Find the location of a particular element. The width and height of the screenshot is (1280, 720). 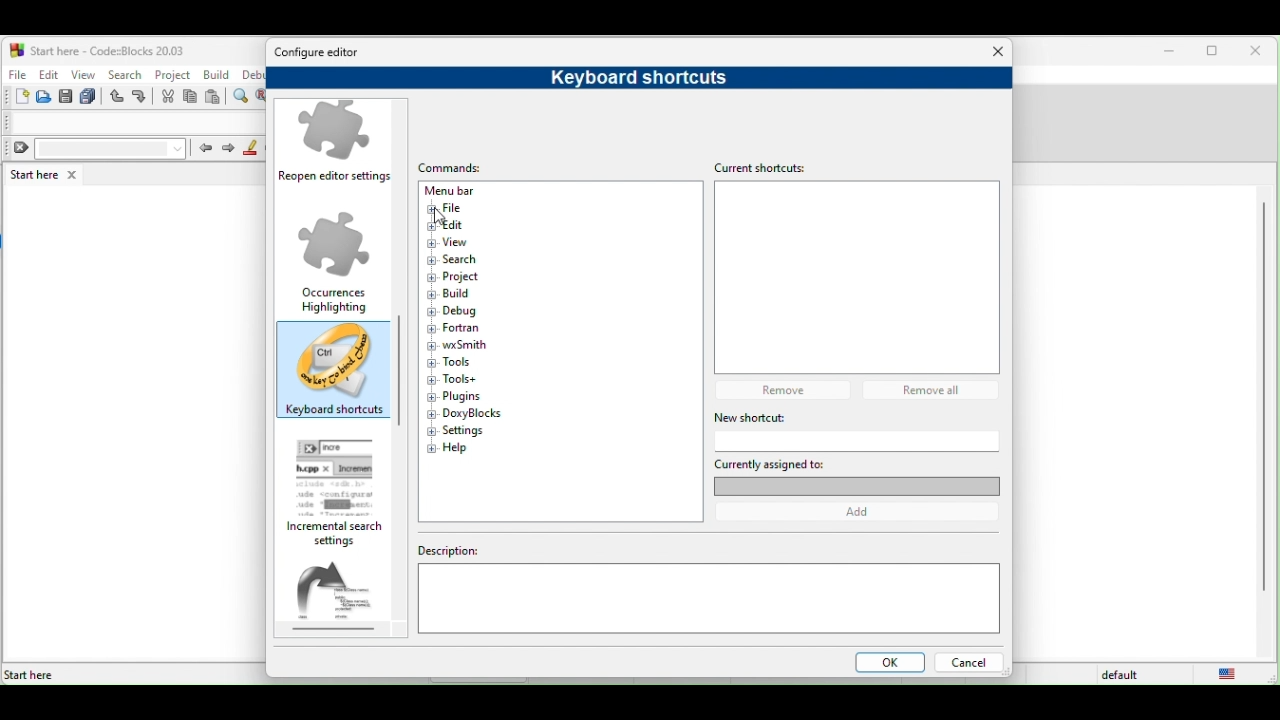

debug is located at coordinates (461, 312).